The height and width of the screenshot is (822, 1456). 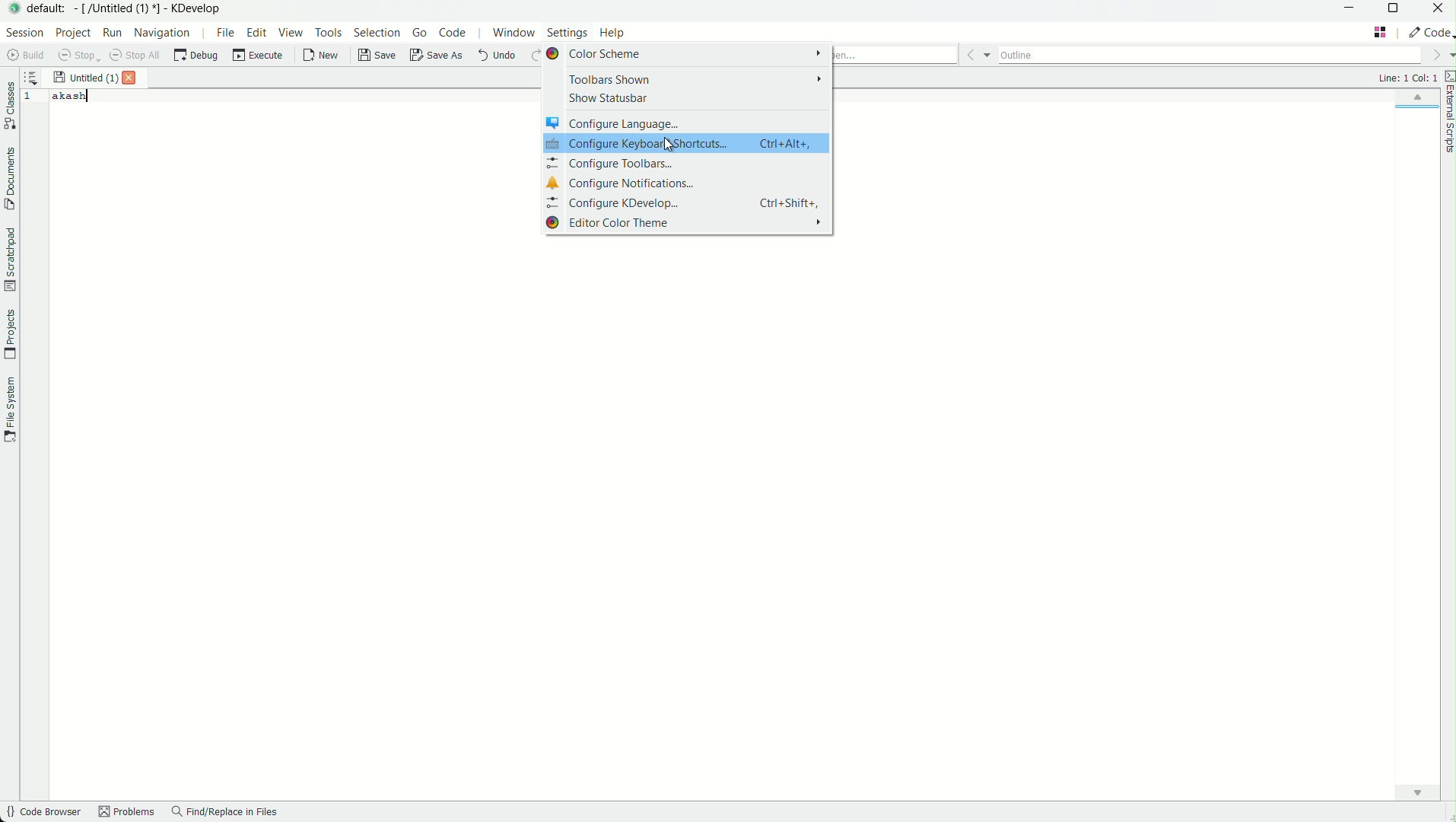 I want to click on execute, so click(x=259, y=56).